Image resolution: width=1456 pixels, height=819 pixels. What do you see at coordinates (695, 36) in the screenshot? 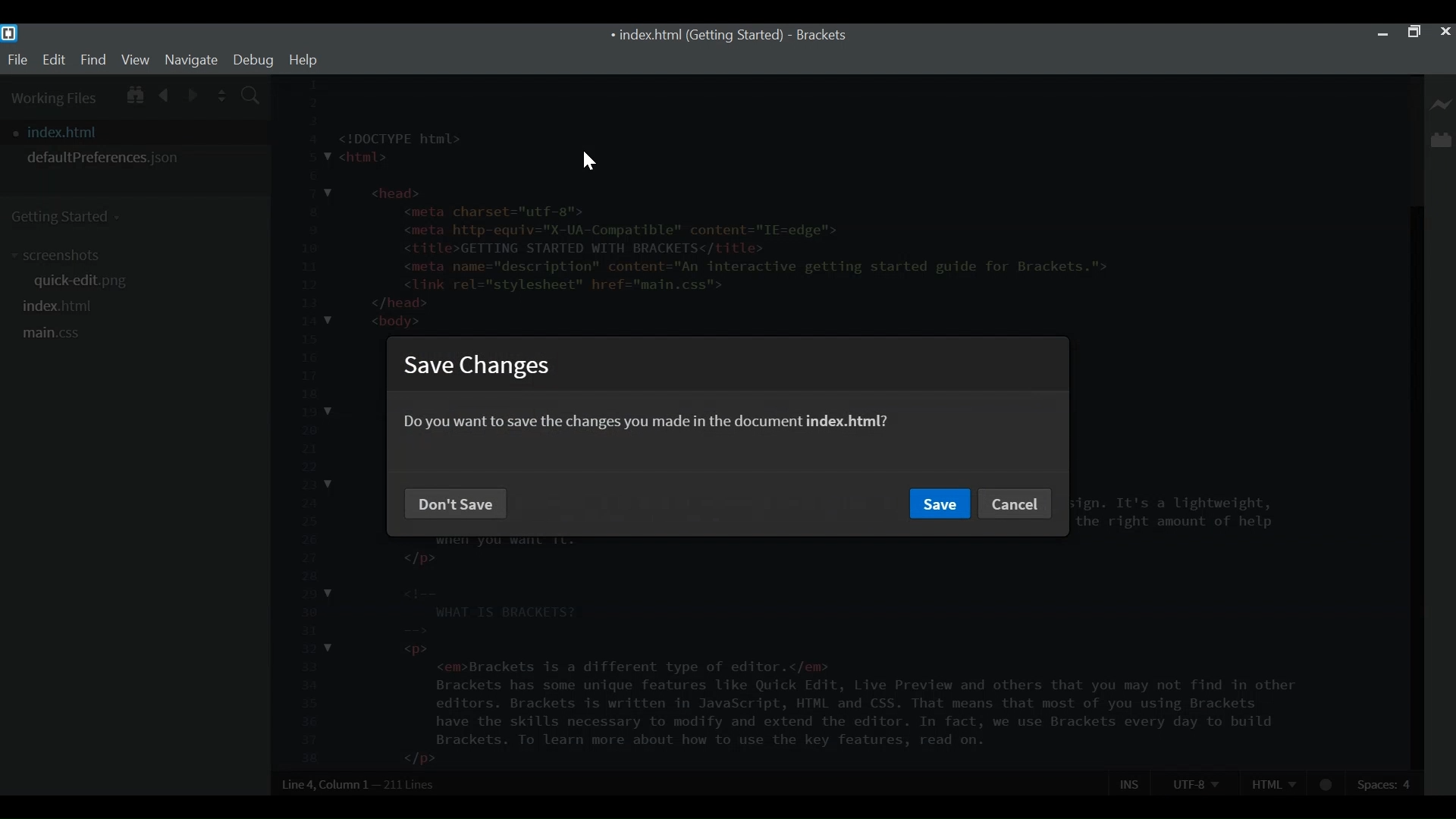
I see `index.html (Getting Started)` at bounding box center [695, 36].